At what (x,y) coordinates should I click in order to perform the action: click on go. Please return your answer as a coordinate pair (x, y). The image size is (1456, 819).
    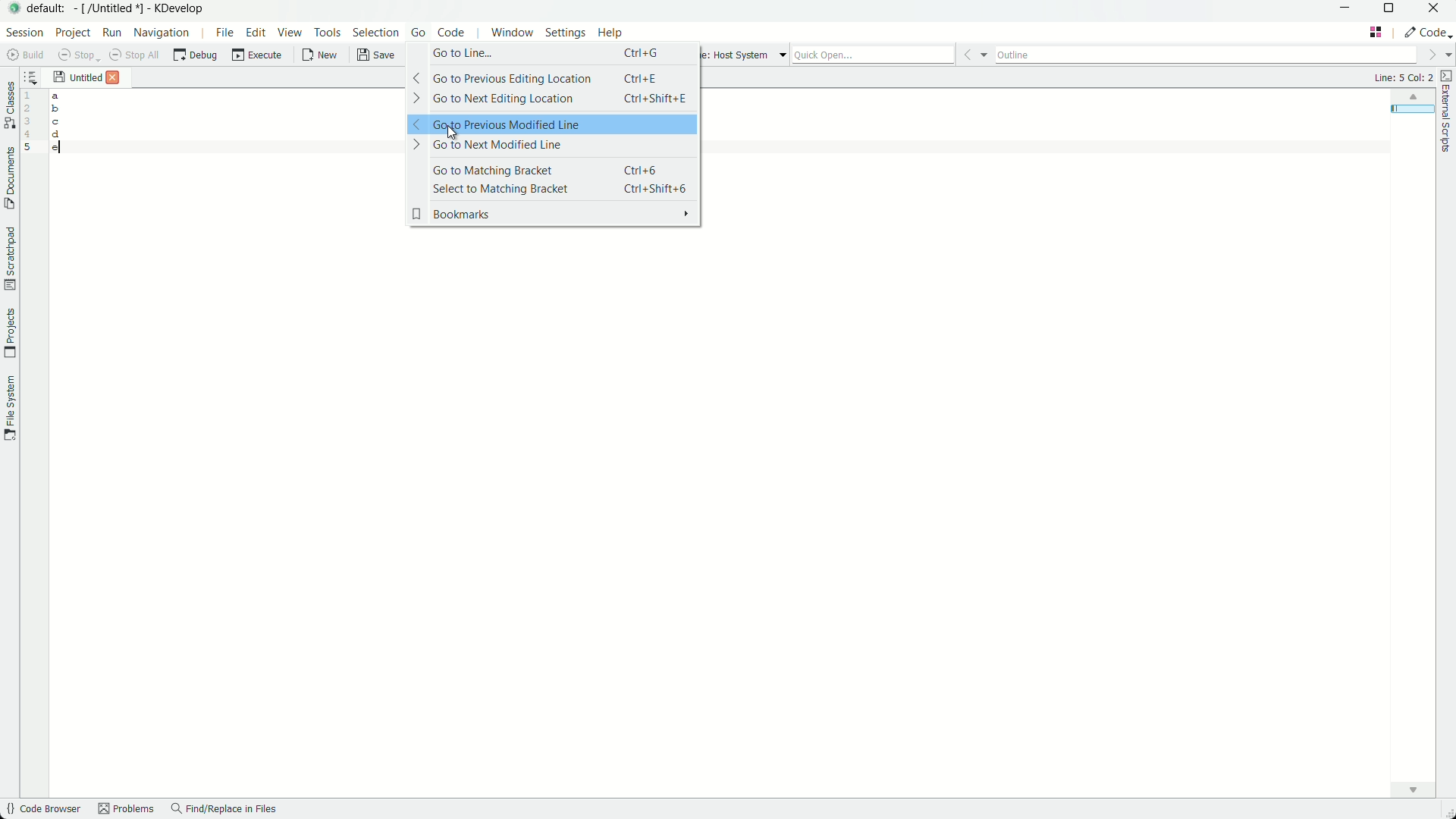
    Looking at the image, I should click on (417, 35).